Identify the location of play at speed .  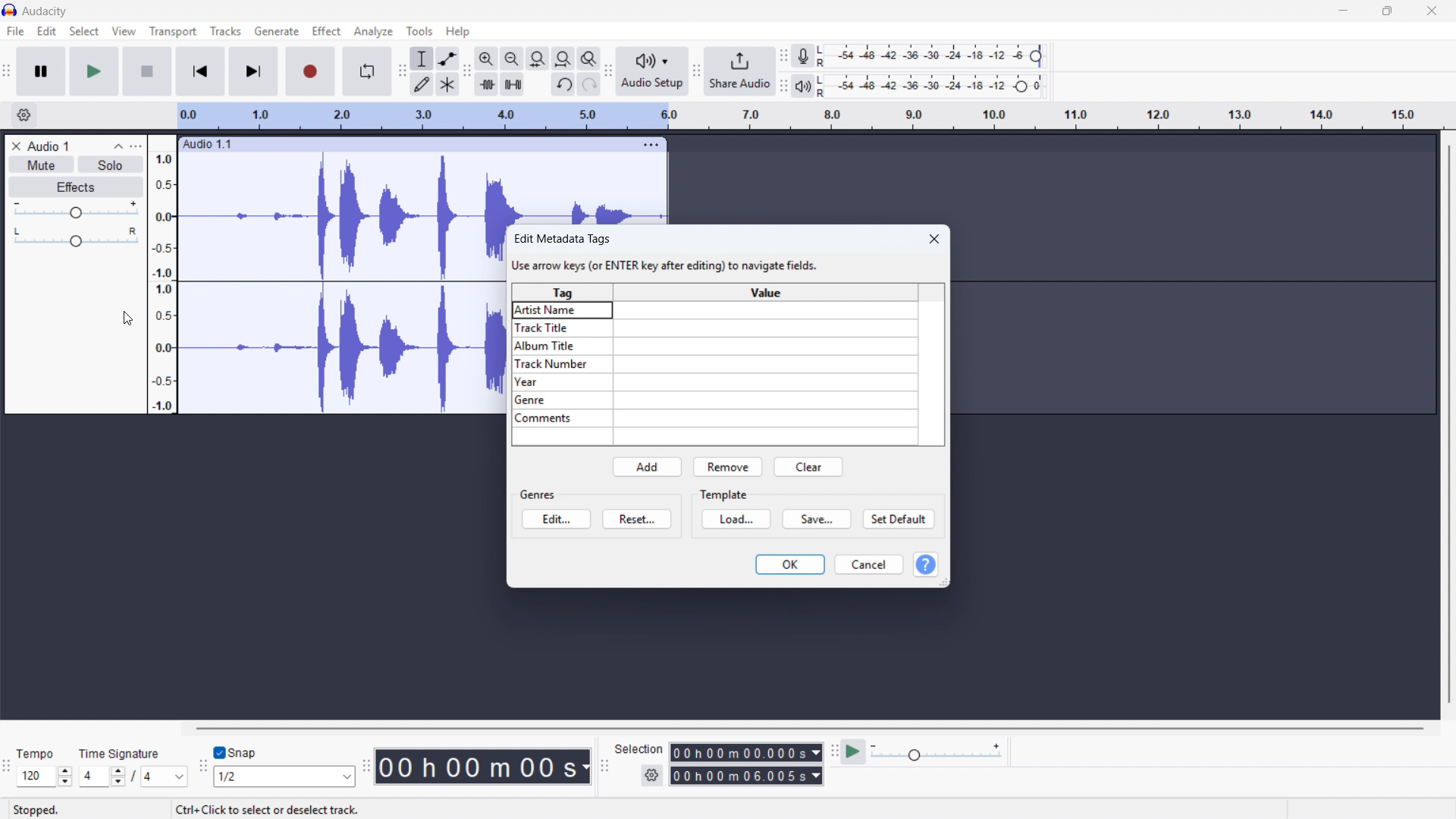
(853, 753).